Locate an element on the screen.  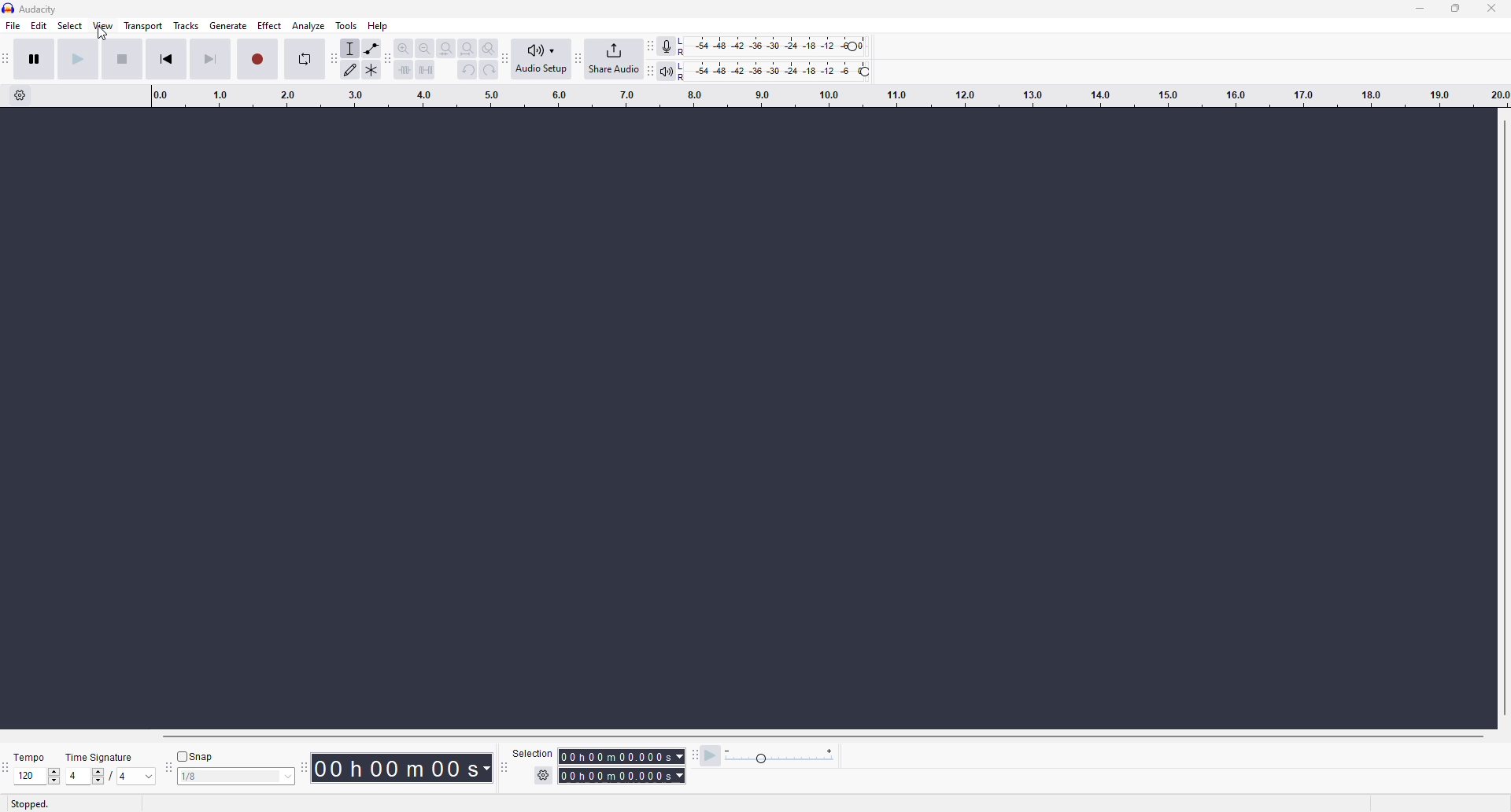
values is located at coordinates (216, 777).